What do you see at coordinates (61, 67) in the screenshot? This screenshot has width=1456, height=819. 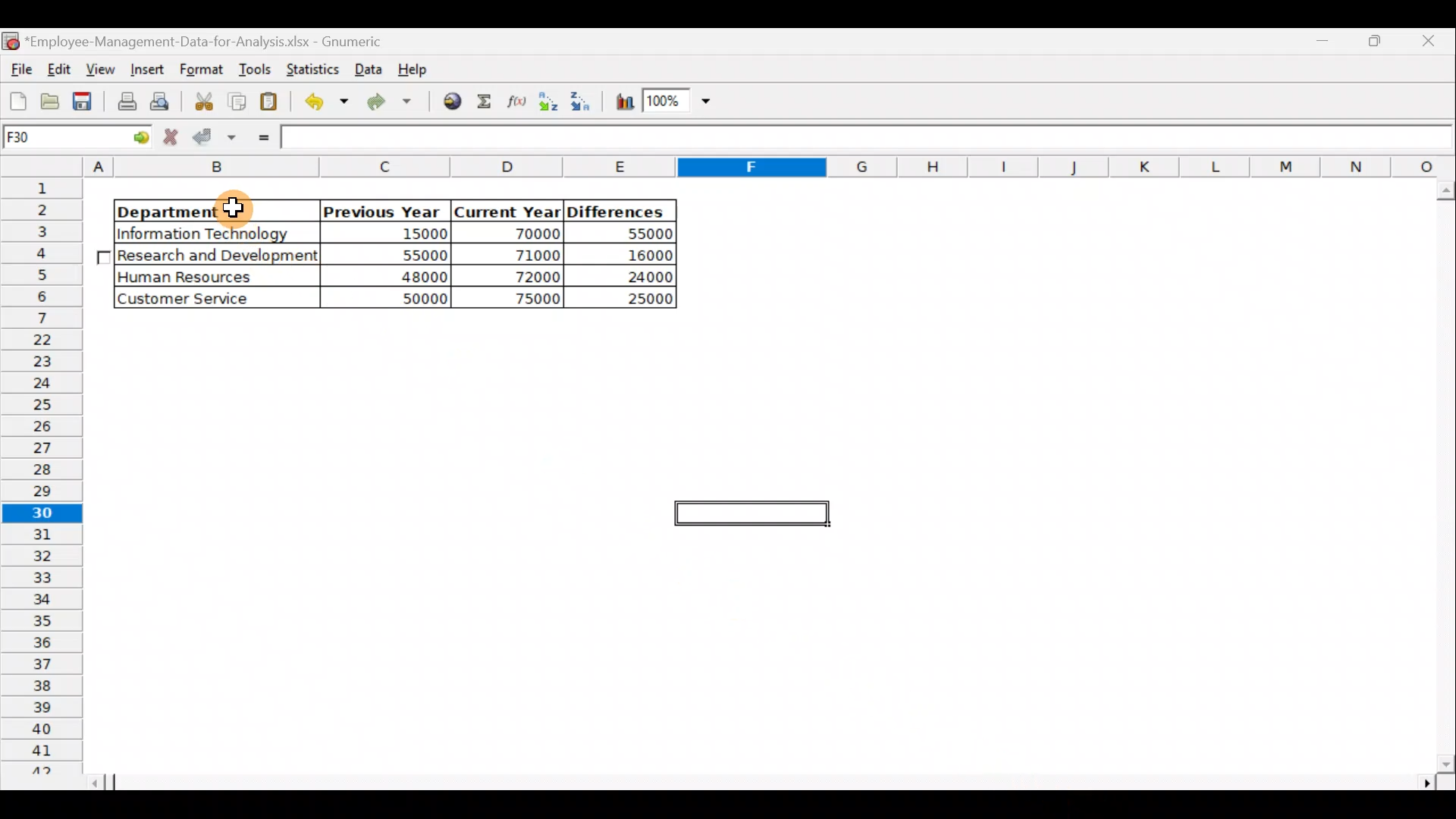 I see `Edit` at bounding box center [61, 67].